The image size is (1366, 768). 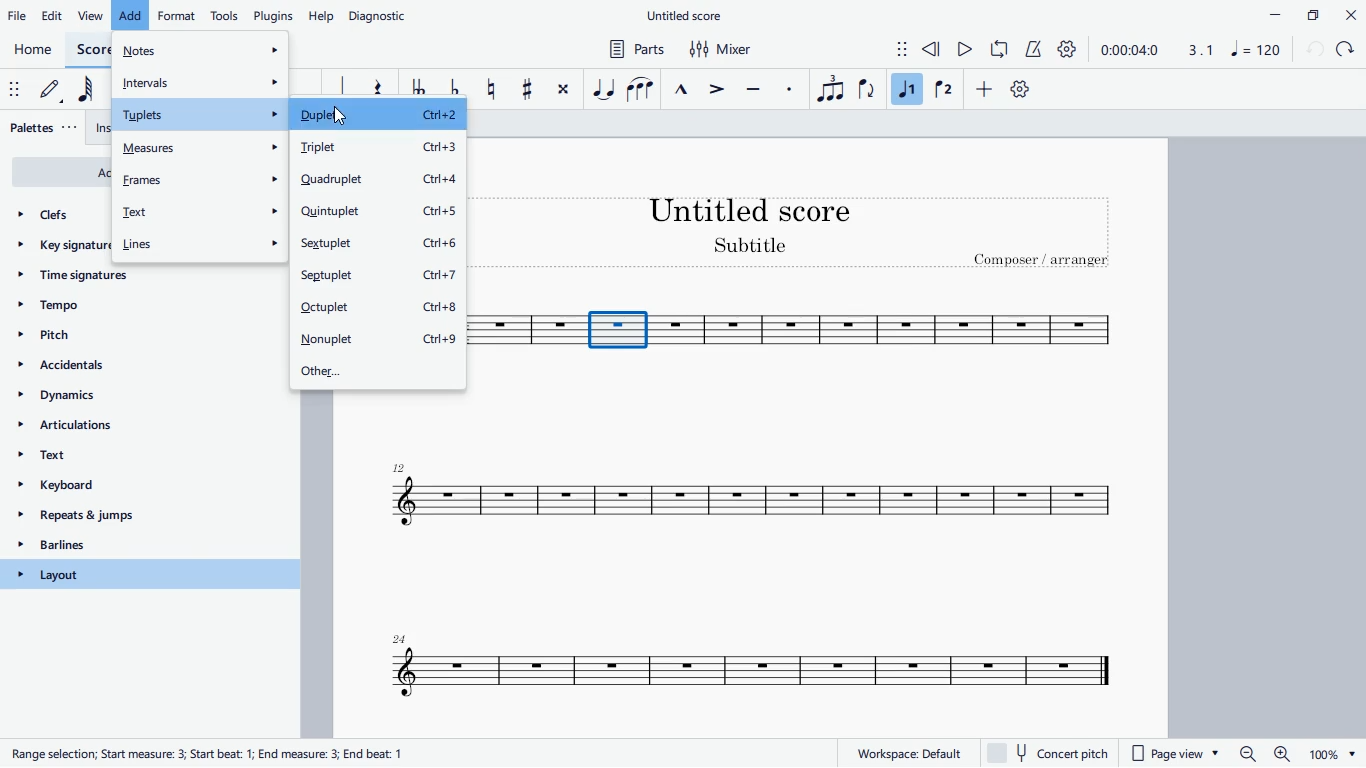 What do you see at coordinates (45, 129) in the screenshot?
I see `palettes` at bounding box center [45, 129].